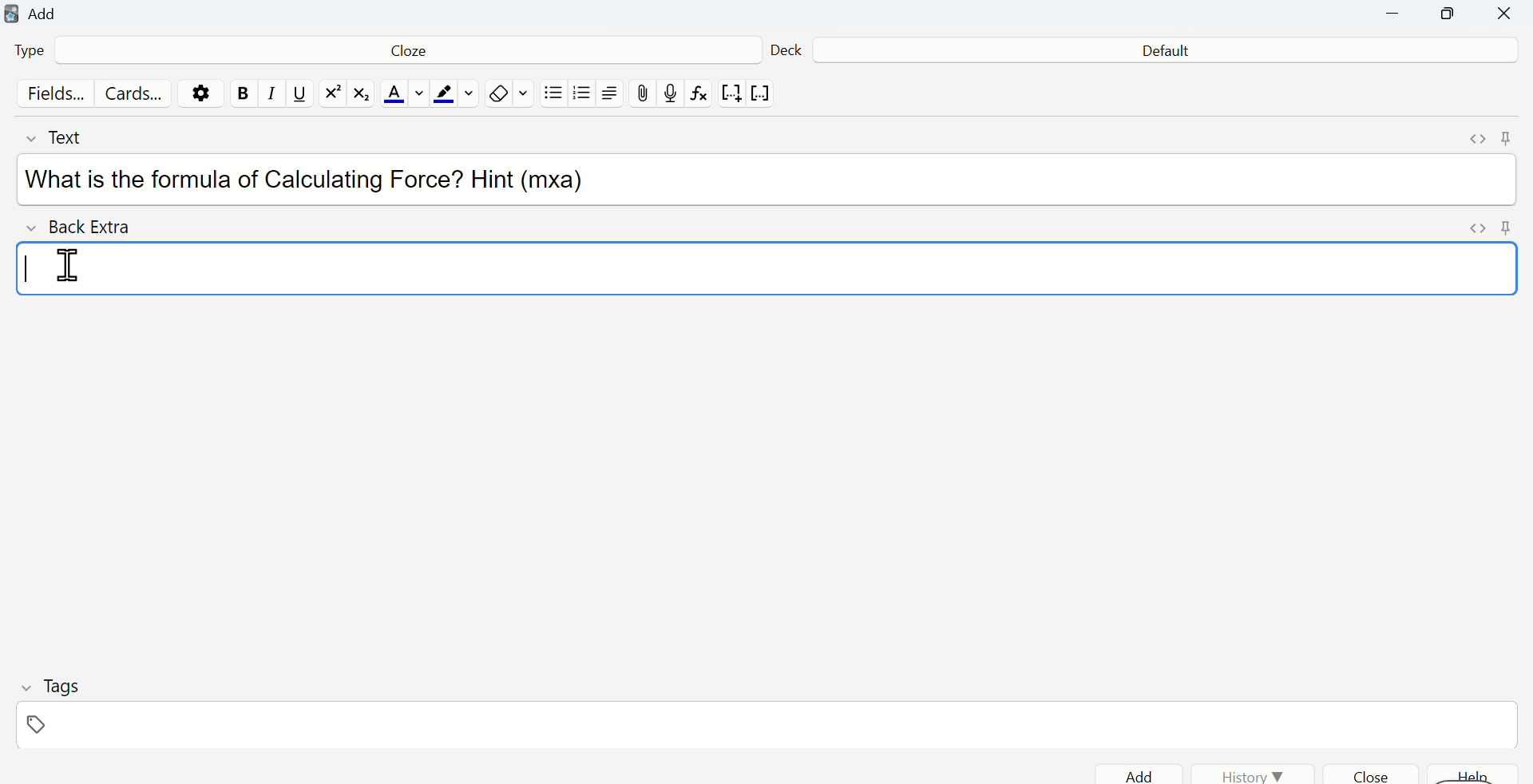  What do you see at coordinates (135, 94) in the screenshot?
I see `Cards` at bounding box center [135, 94].